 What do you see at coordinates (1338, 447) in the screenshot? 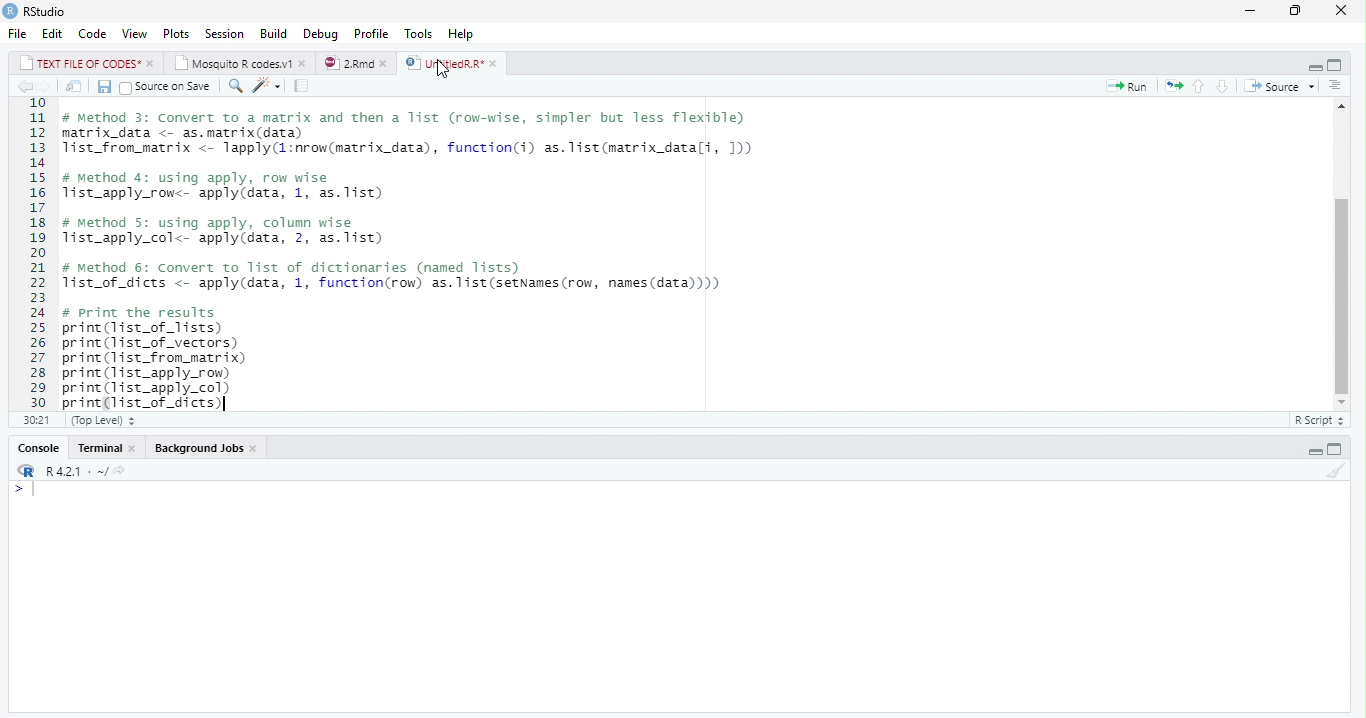
I see `Full Height` at bounding box center [1338, 447].